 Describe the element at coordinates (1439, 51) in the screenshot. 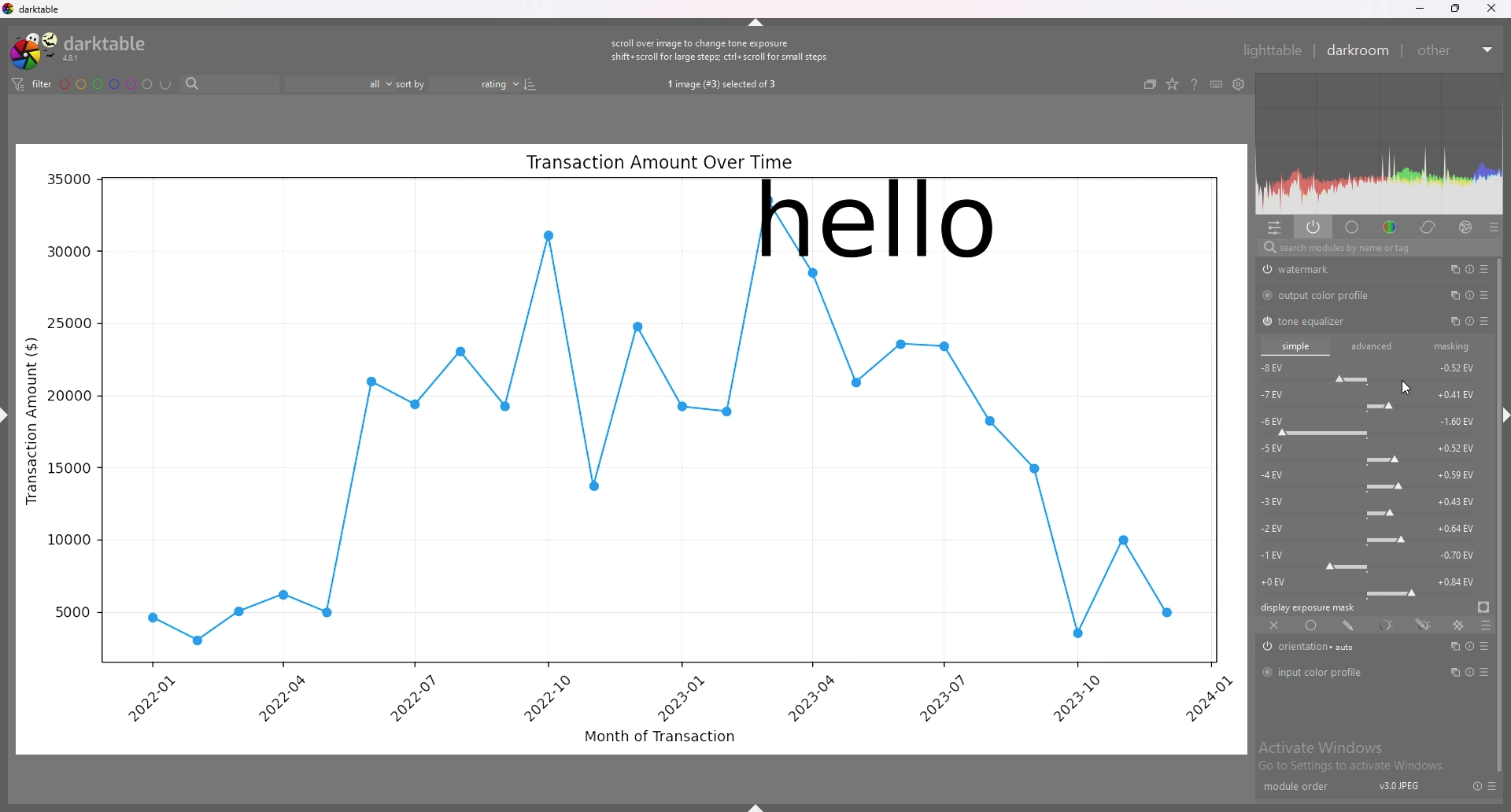

I see `other` at that location.